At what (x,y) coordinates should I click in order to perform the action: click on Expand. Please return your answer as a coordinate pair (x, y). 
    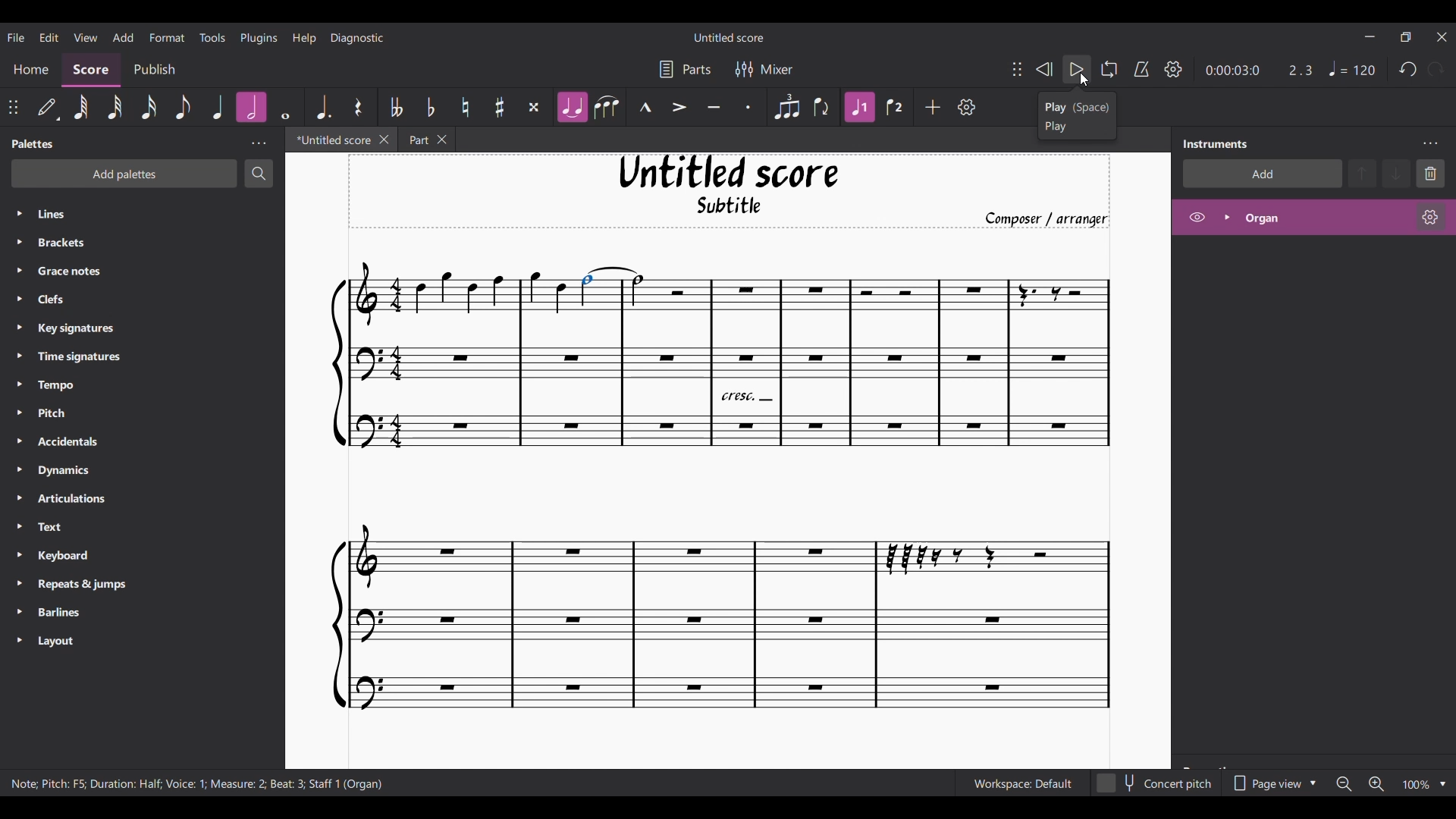
    Looking at the image, I should click on (1226, 217).